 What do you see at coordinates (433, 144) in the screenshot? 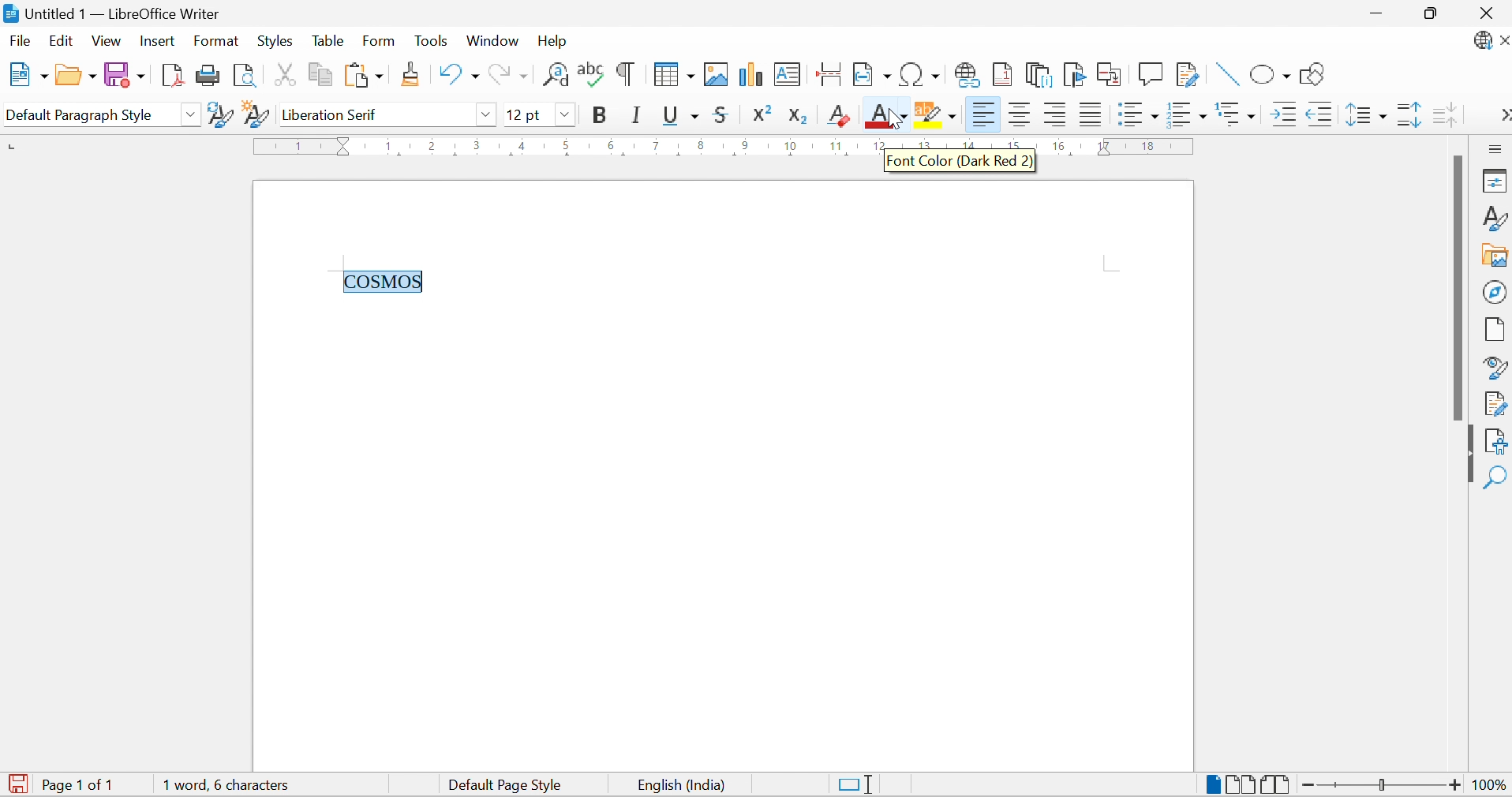
I see `2` at bounding box center [433, 144].